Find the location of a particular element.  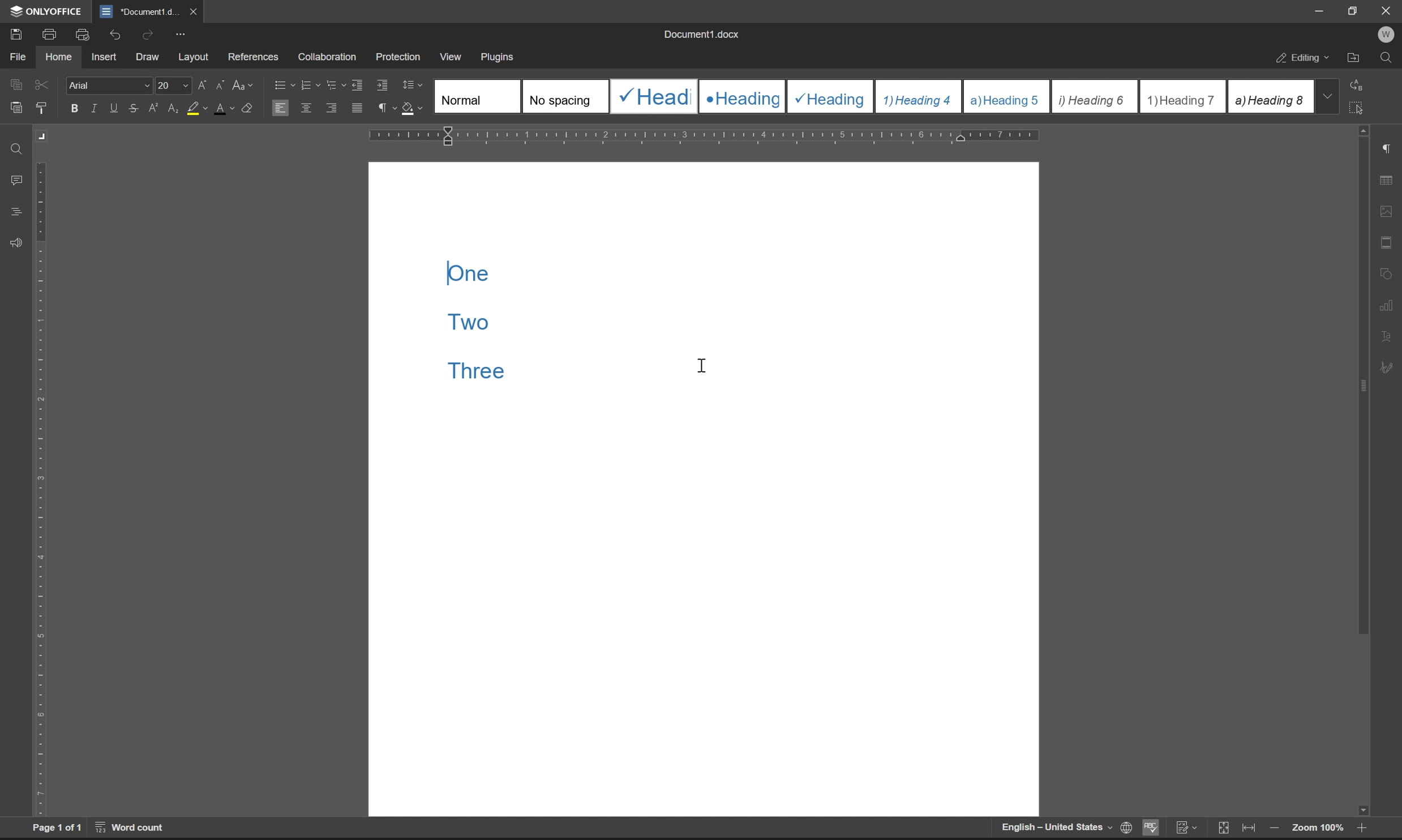

copy style is located at coordinates (41, 109).